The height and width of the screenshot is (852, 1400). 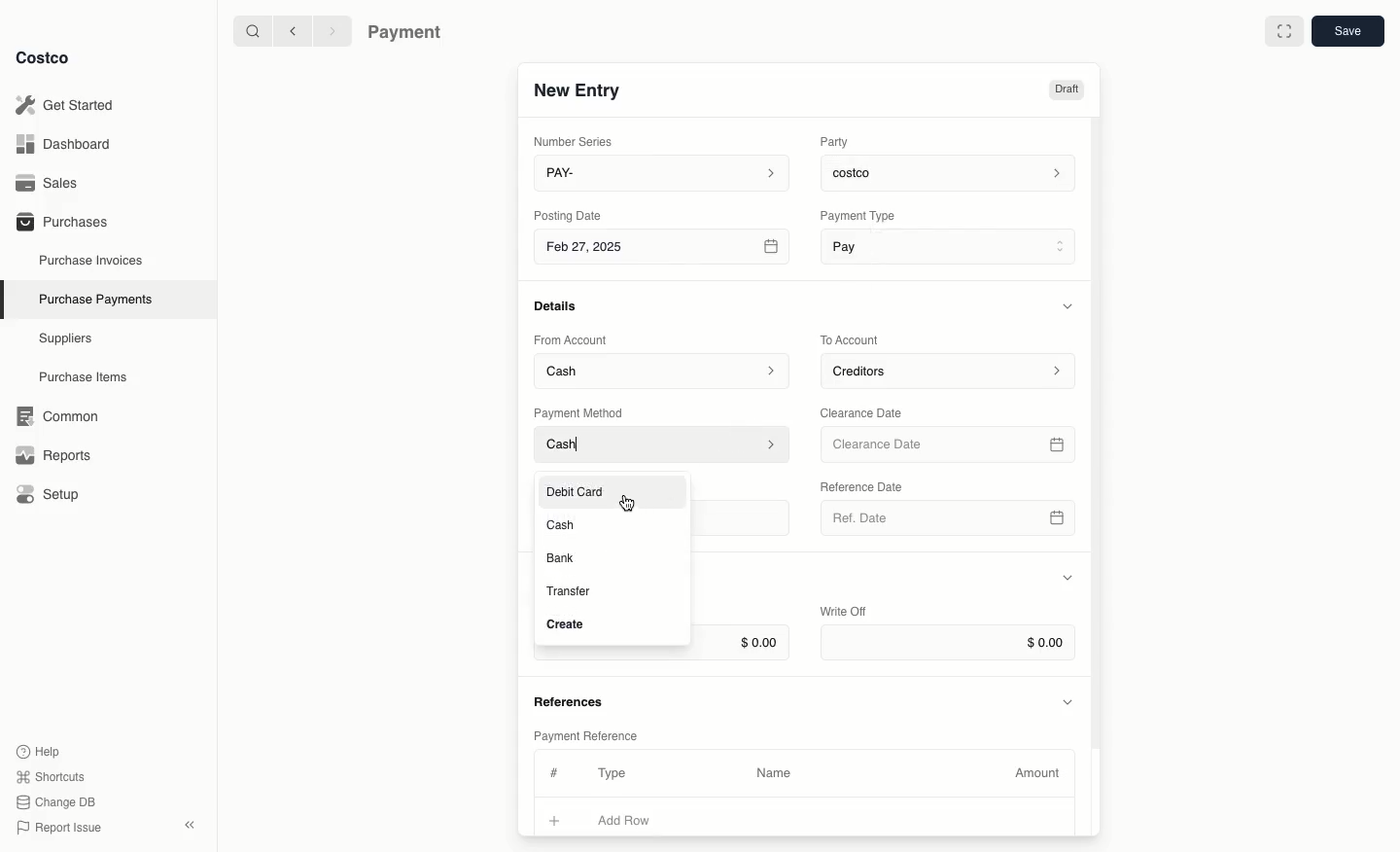 I want to click on Setup, so click(x=54, y=496).